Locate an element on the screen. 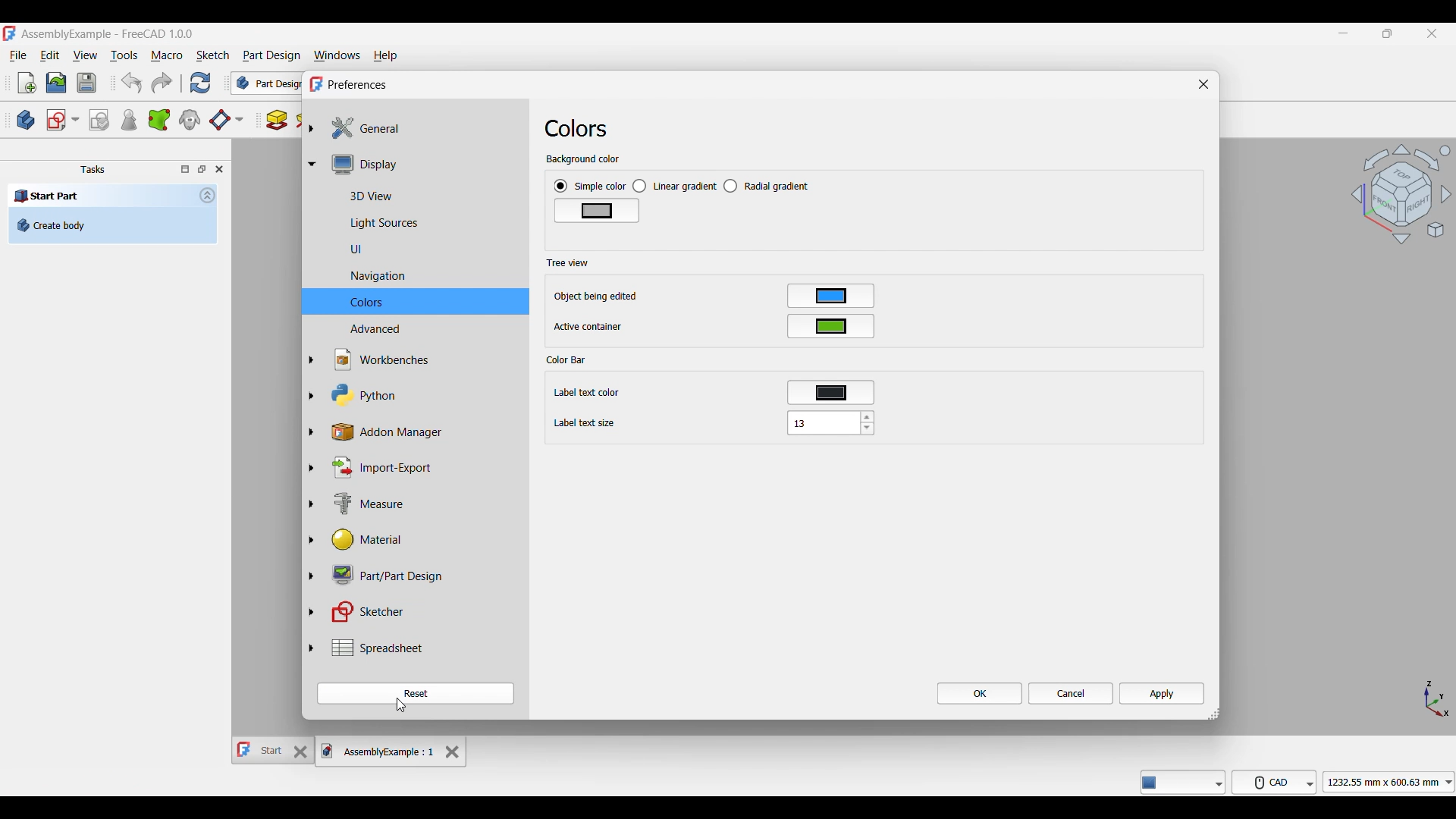  Create sketch options is located at coordinates (62, 121).